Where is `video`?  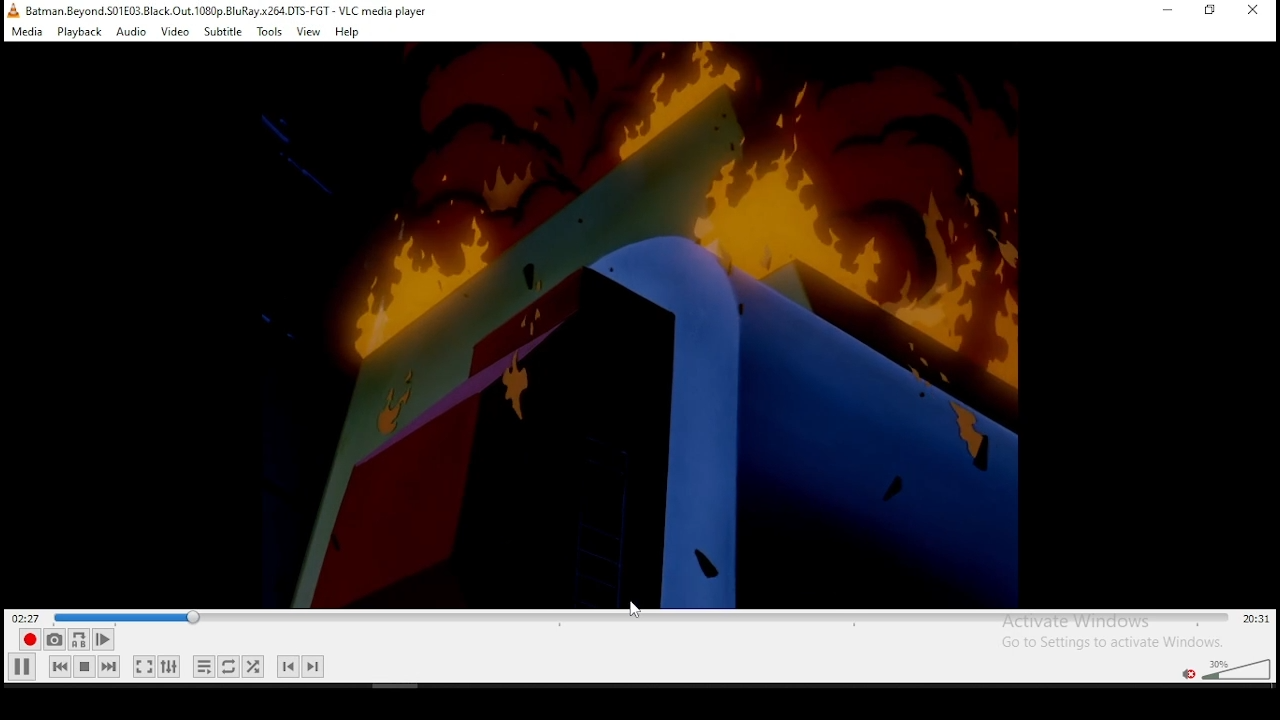 video is located at coordinates (174, 32).